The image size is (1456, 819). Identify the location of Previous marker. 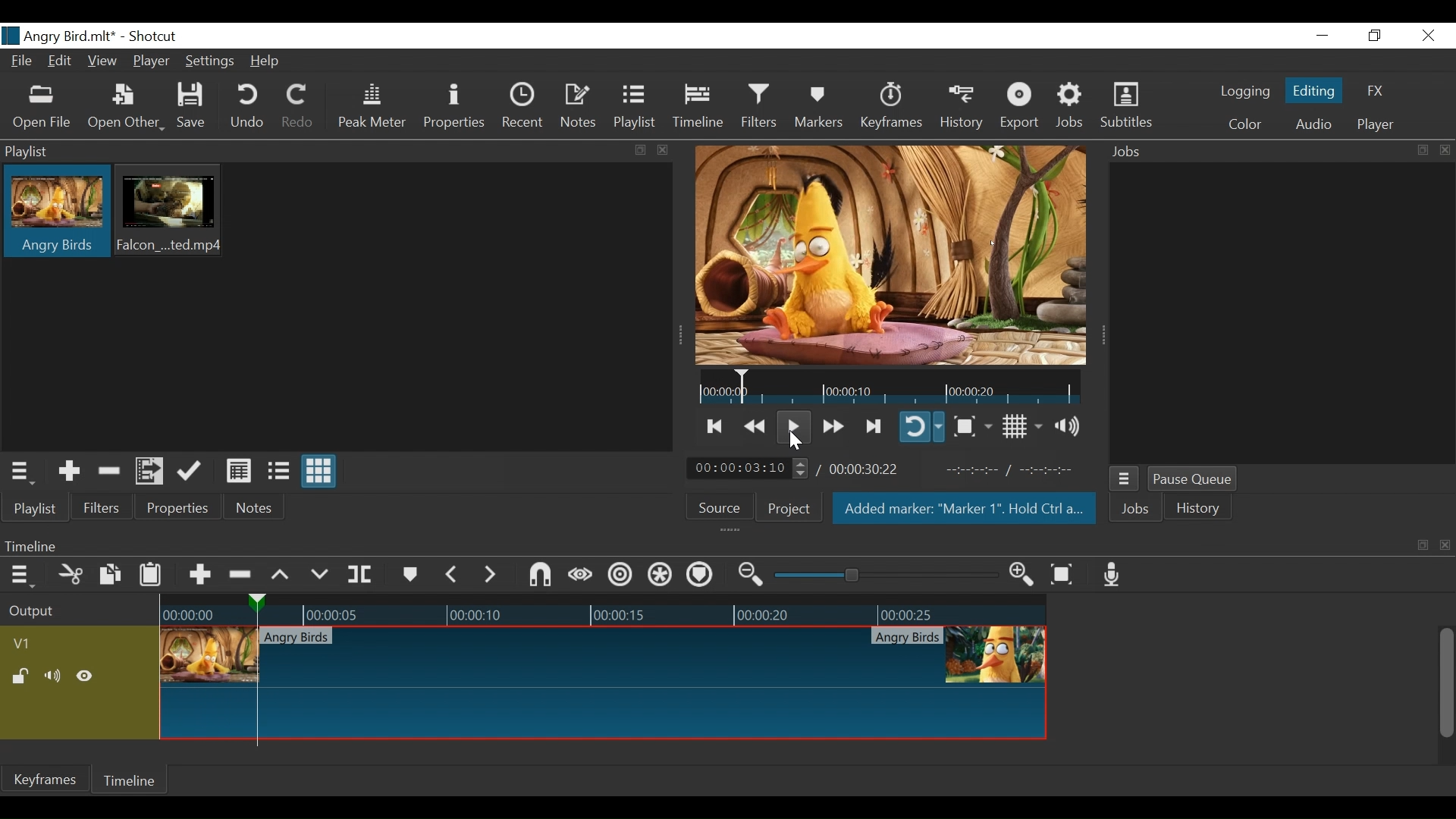
(453, 574).